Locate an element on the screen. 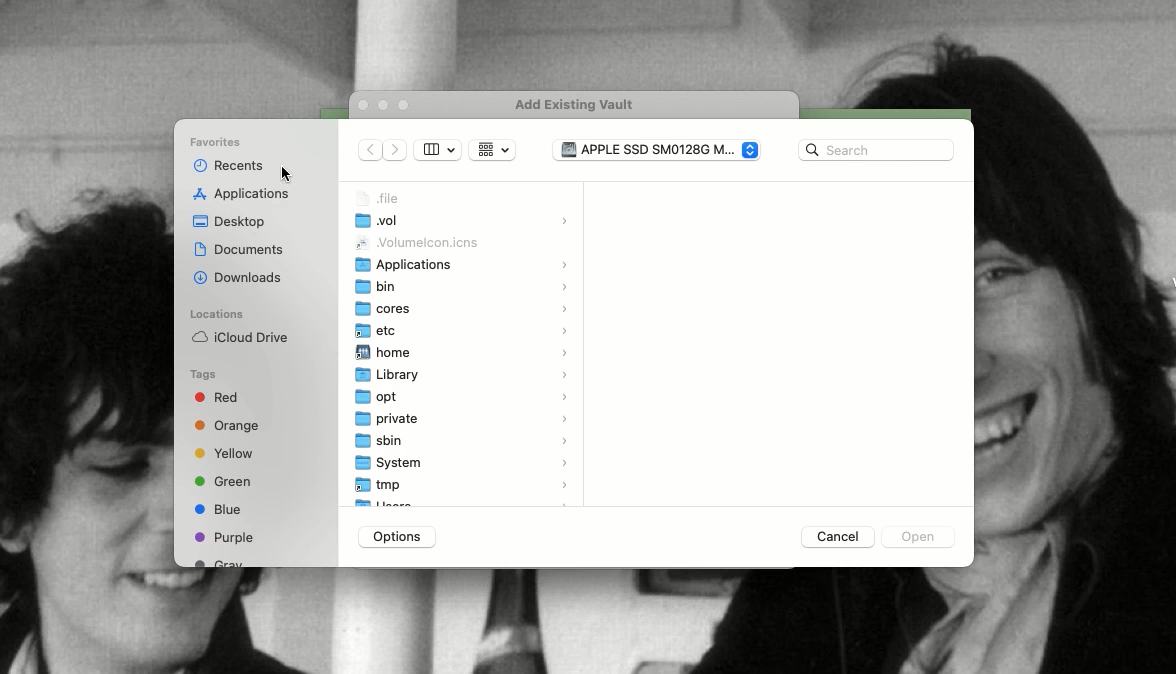  Add existing vault is located at coordinates (581, 105).